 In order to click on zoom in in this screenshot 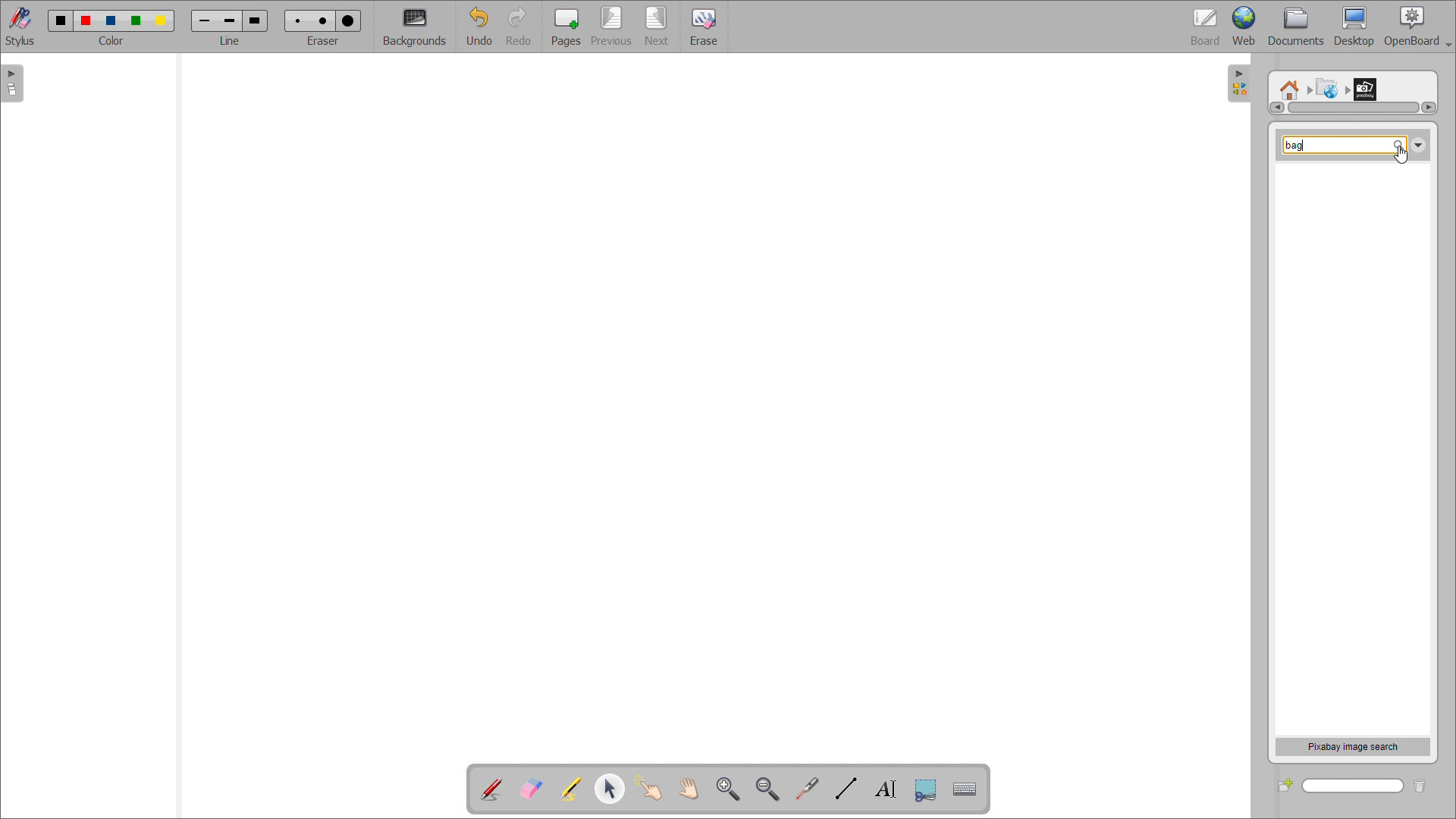, I will do `click(728, 788)`.